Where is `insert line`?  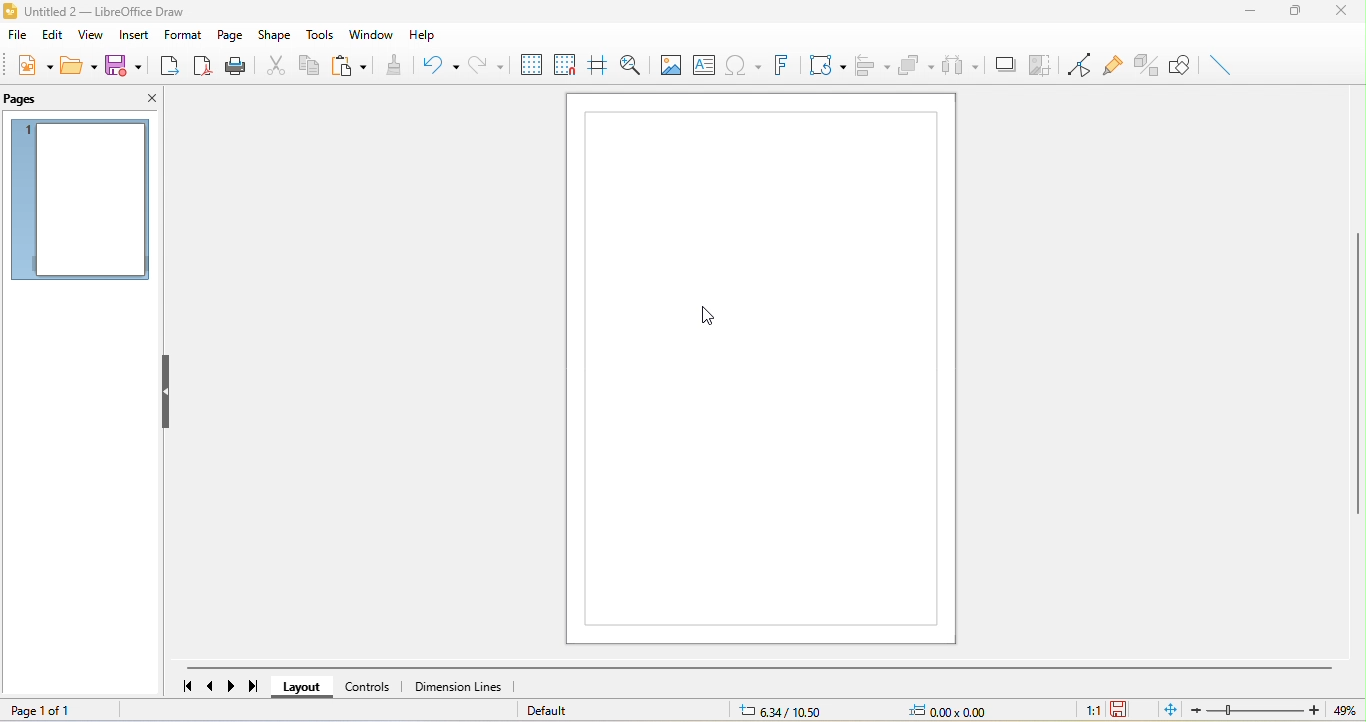 insert line is located at coordinates (1220, 64).